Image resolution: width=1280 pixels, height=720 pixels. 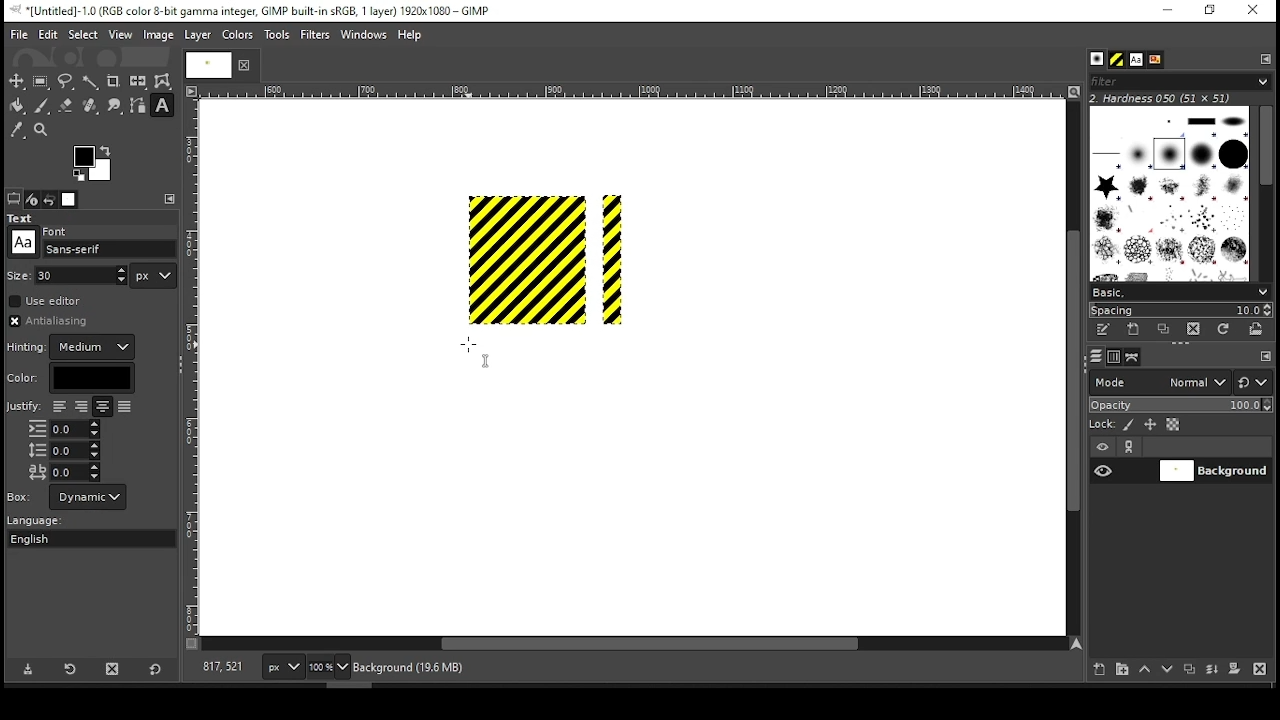 What do you see at coordinates (1095, 357) in the screenshot?
I see `layers` at bounding box center [1095, 357].